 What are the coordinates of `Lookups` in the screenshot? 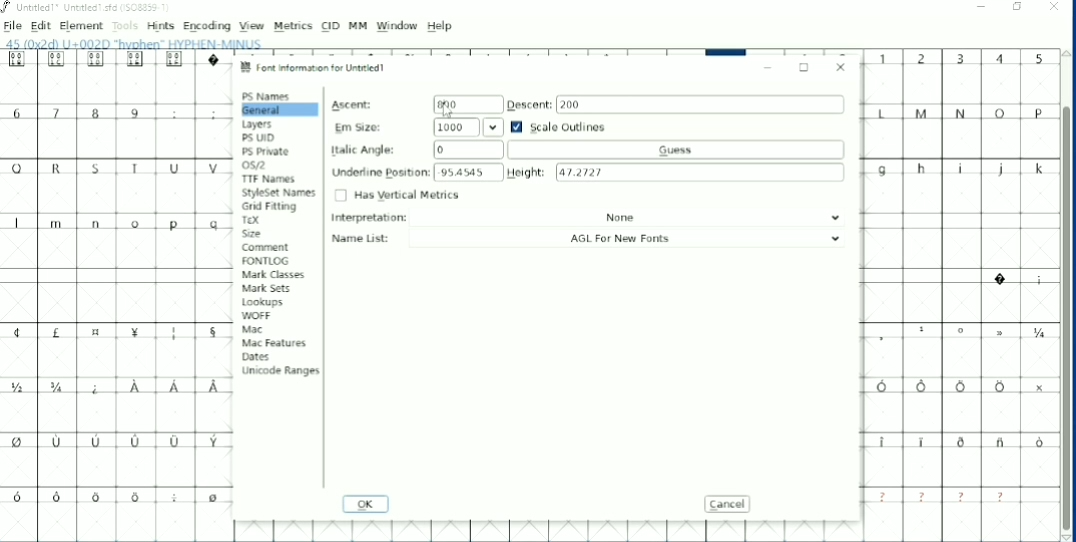 It's located at (262, 303).